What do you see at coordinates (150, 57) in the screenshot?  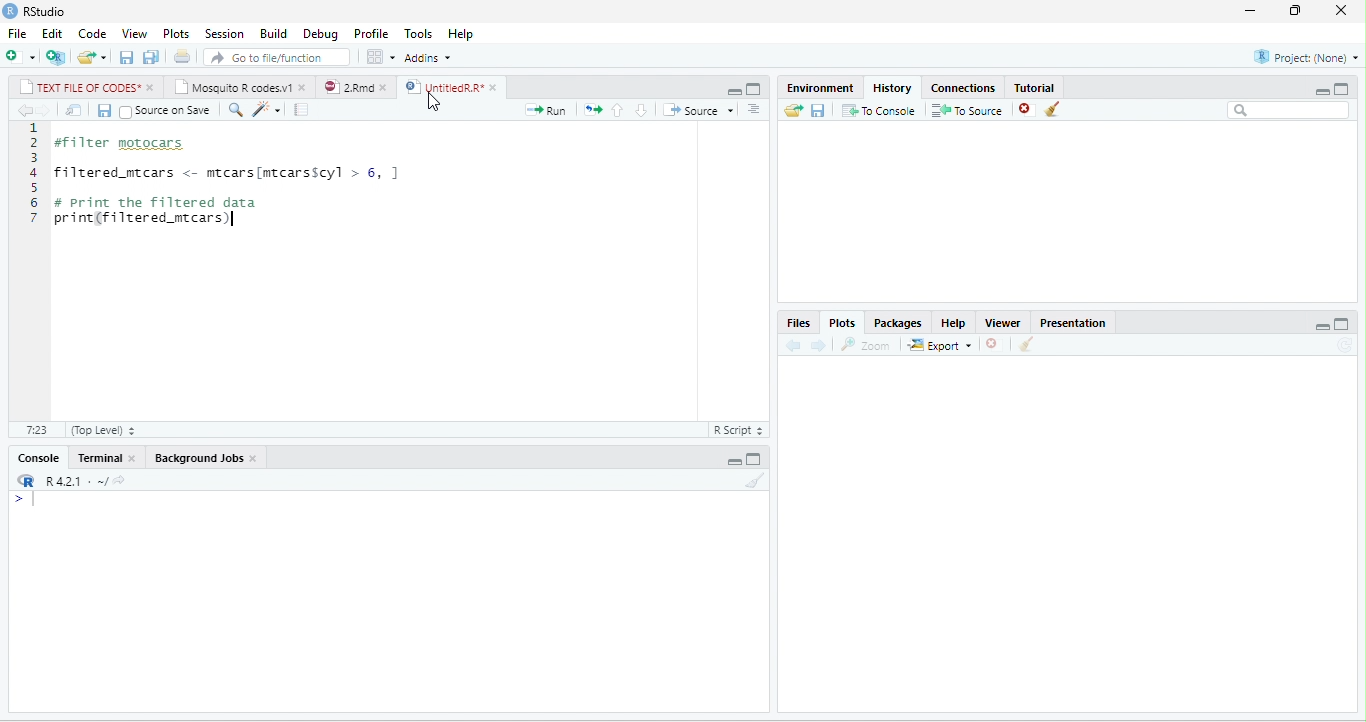 I see `save all` at bounding box center [150, 57].